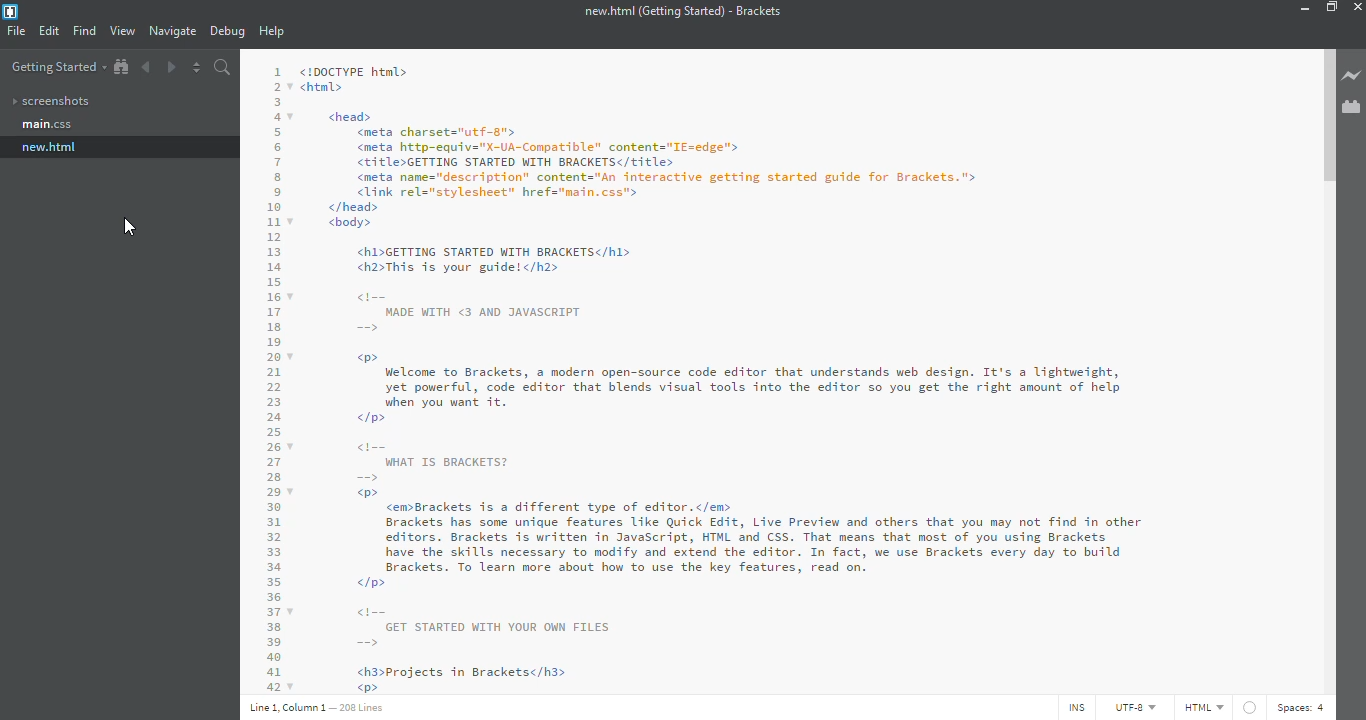  Describe the element at coordinates (1332, 7) in the screenshot. I see `maximize` at that location.